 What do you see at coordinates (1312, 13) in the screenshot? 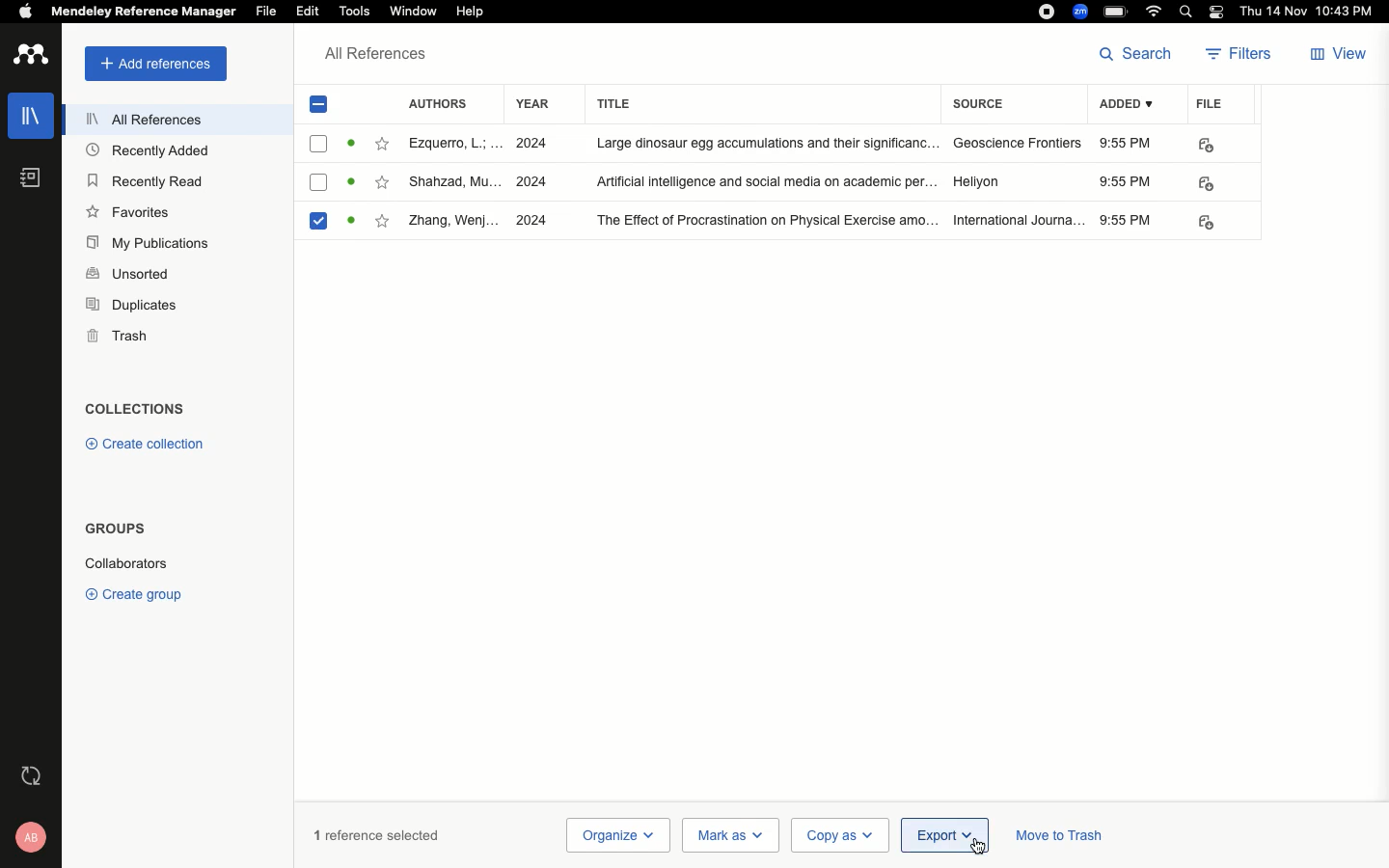
I see `Date/time` at bounding box center [1312, 13].